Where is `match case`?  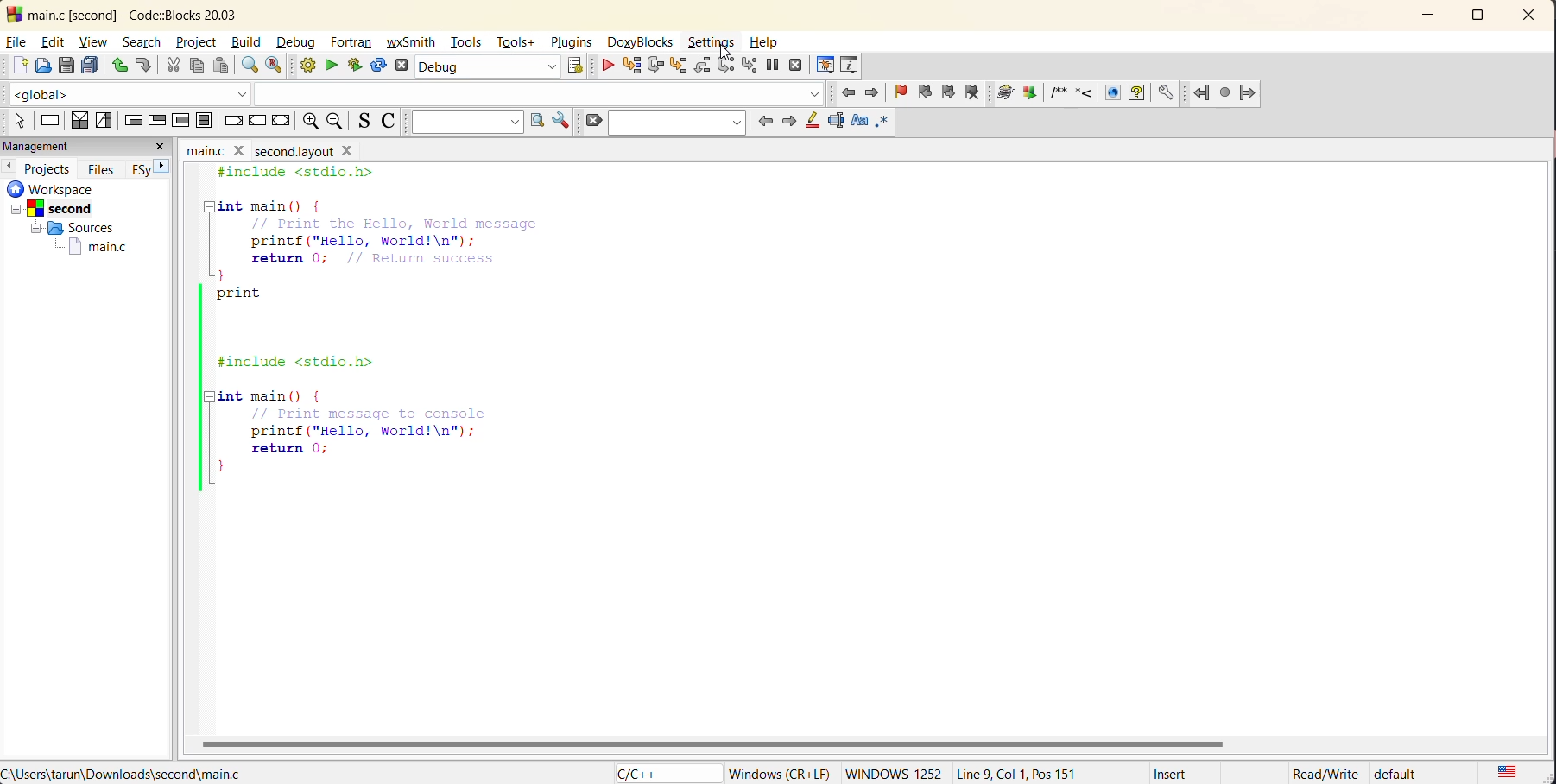
match case is located at coordinates (860, 119).